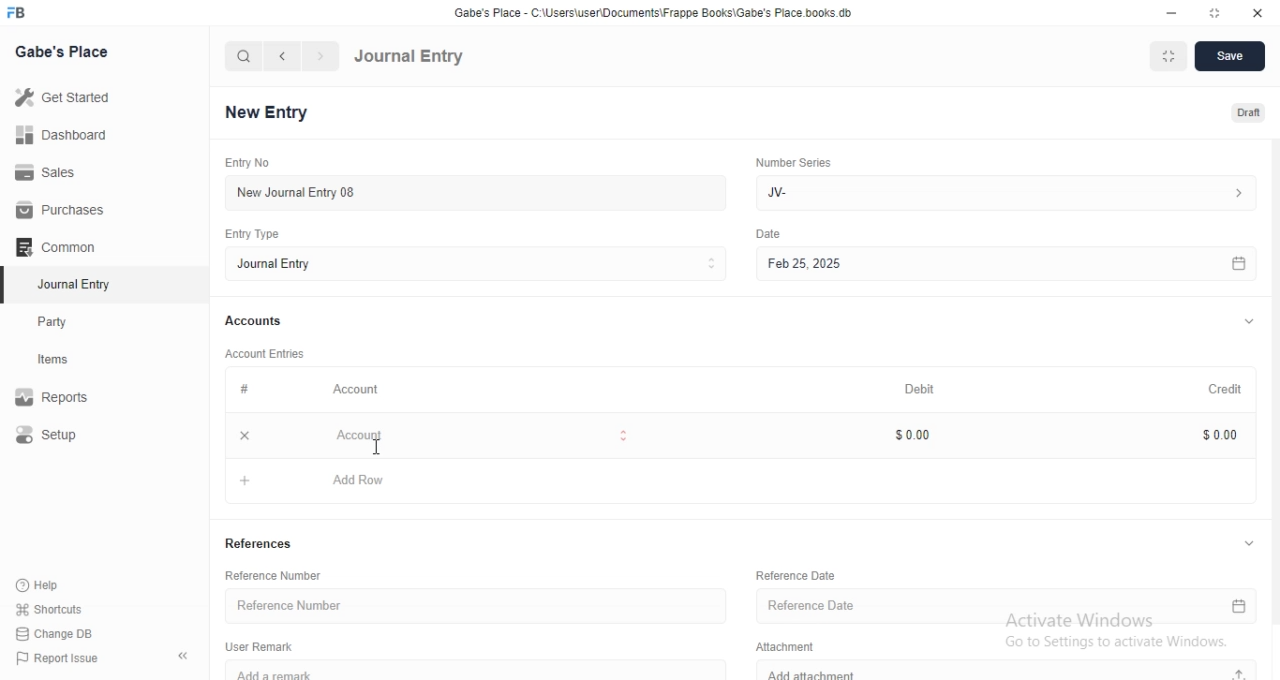 This screenshot has width=1280, height=680. What do you see at coordinates (793, 164) in the screenshot?
I see `Number Series` at bounding box center [793, 164].